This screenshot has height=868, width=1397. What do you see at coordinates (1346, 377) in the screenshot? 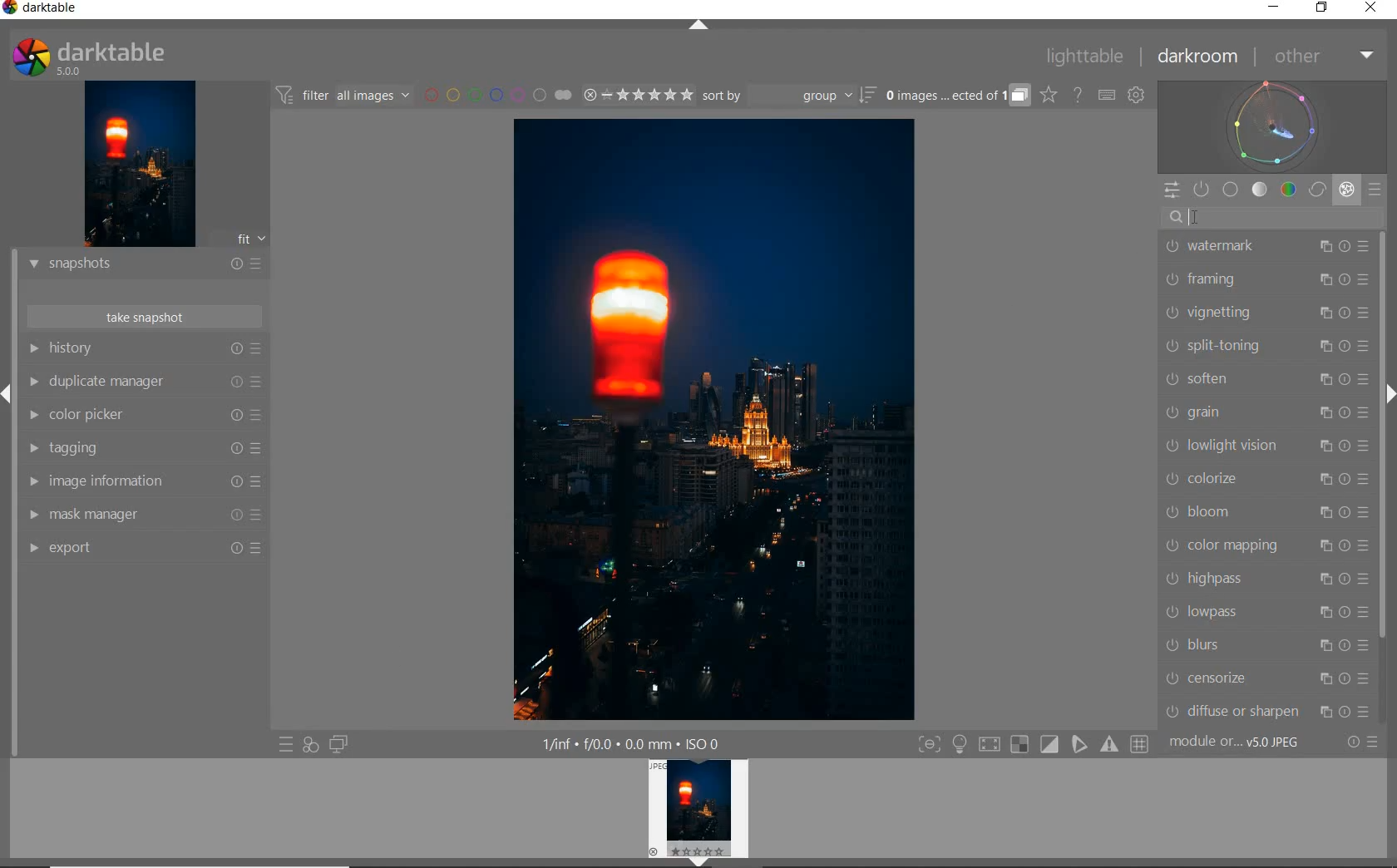
I see `Reset` at bounding box center [1346, 377].